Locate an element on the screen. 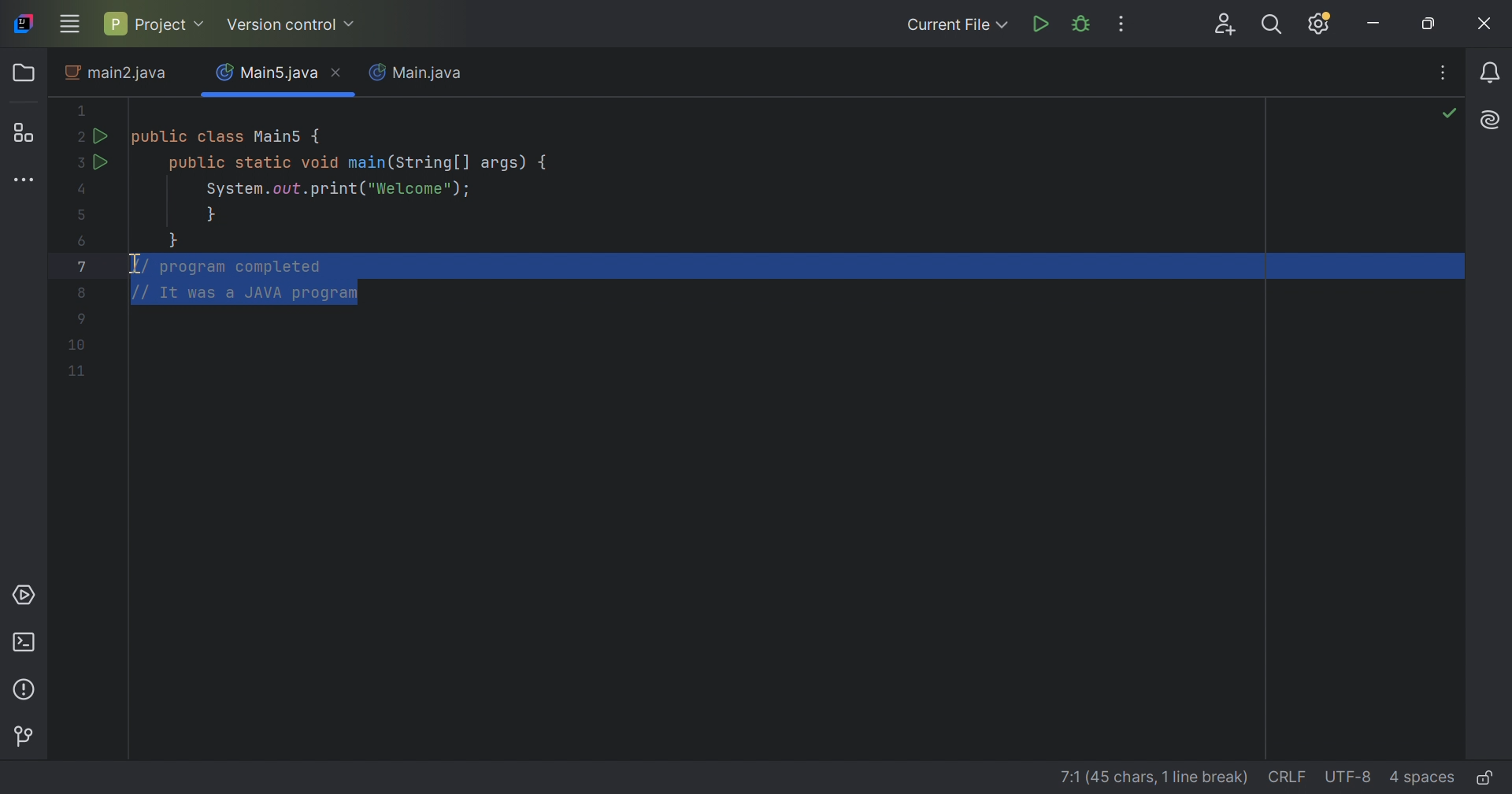 This screenshot has width=1512, height=794. Main5.java is located at coordinates (267, 70).